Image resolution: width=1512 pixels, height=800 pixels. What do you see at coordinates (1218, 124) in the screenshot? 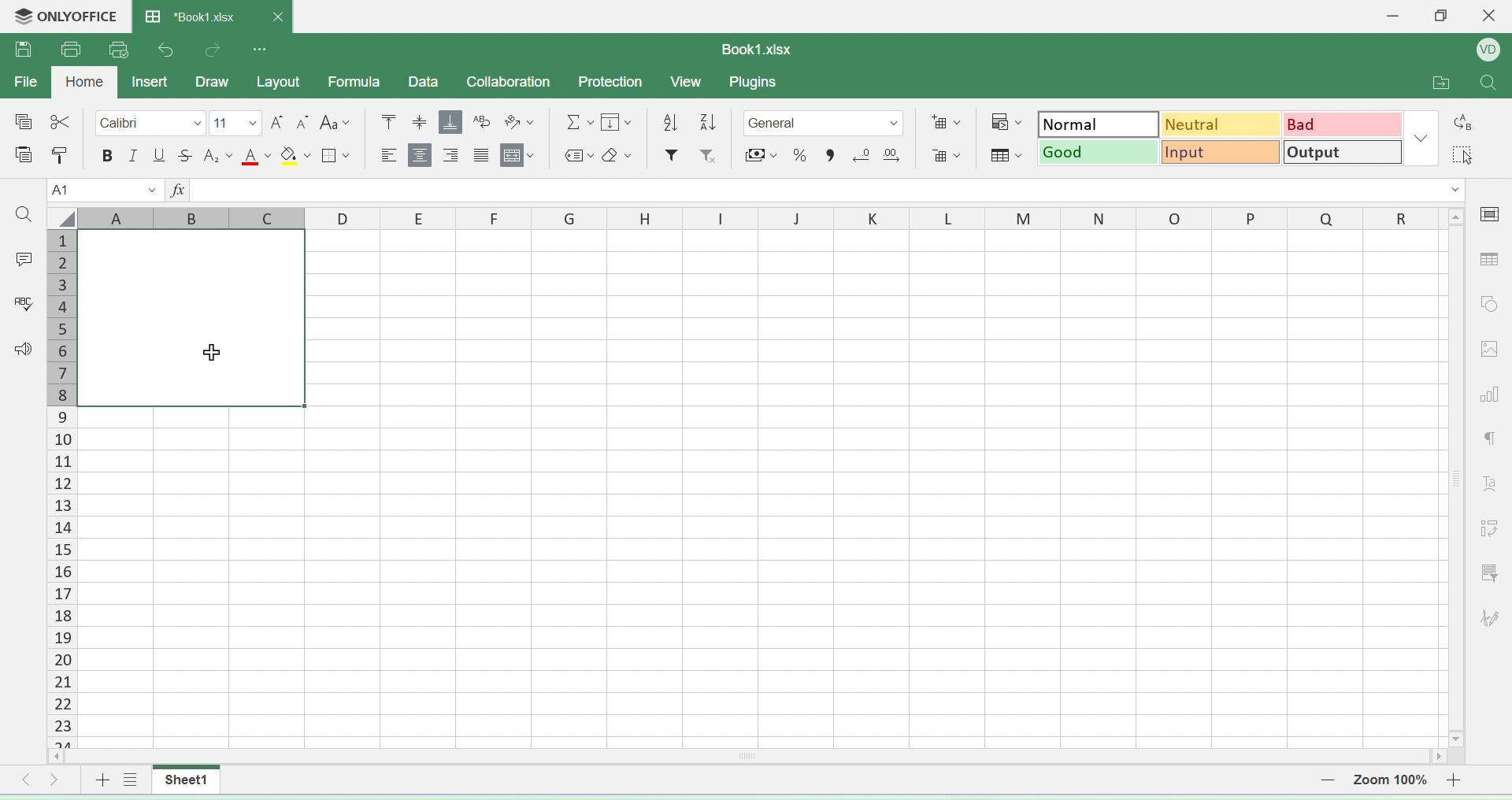
I see `neutral` at bounding box center [1218, 124].